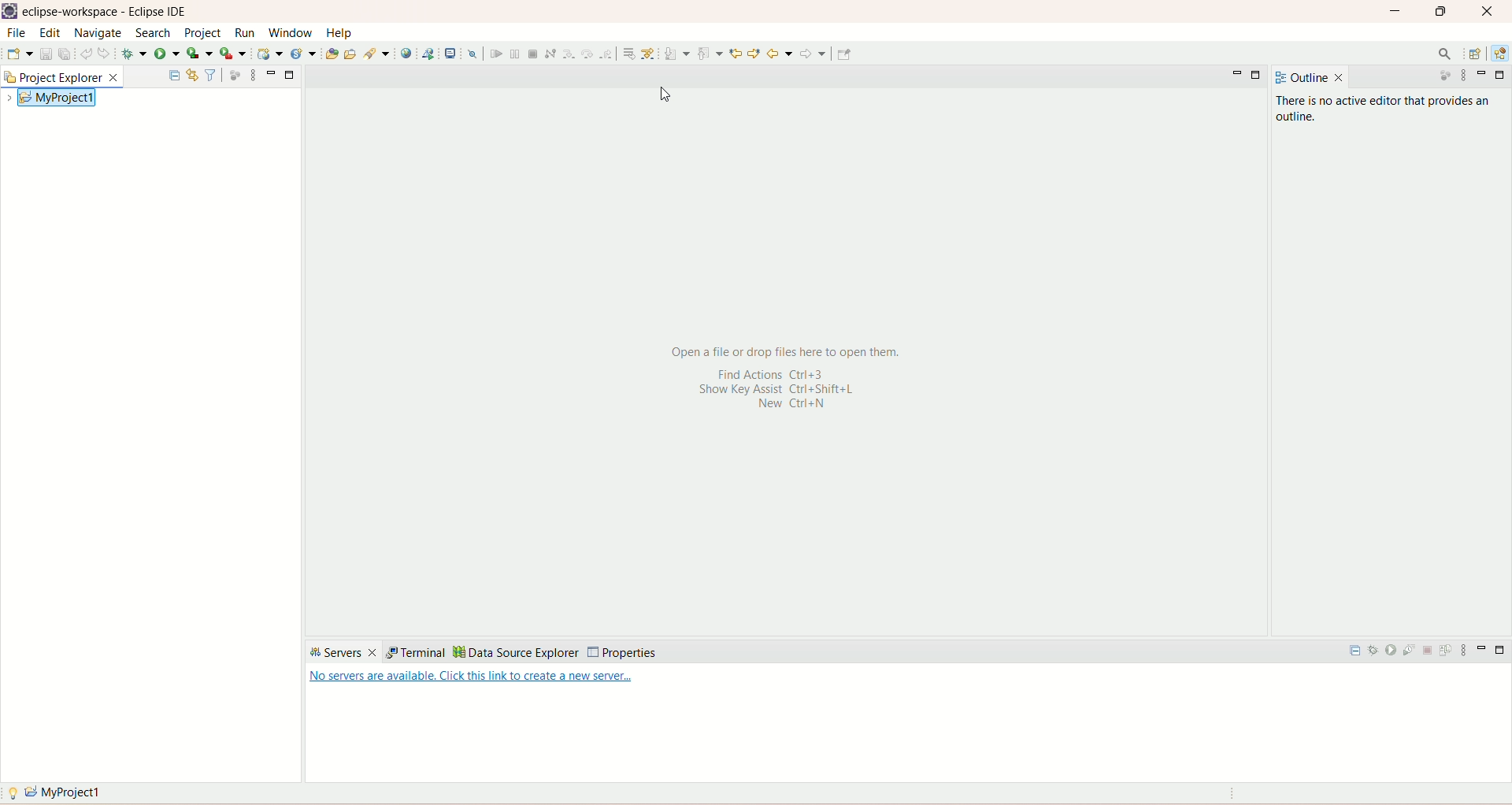  Describe the element at coordinates (1412, 653) in the screenshot. I see `start the server in profiling mode` at that location.